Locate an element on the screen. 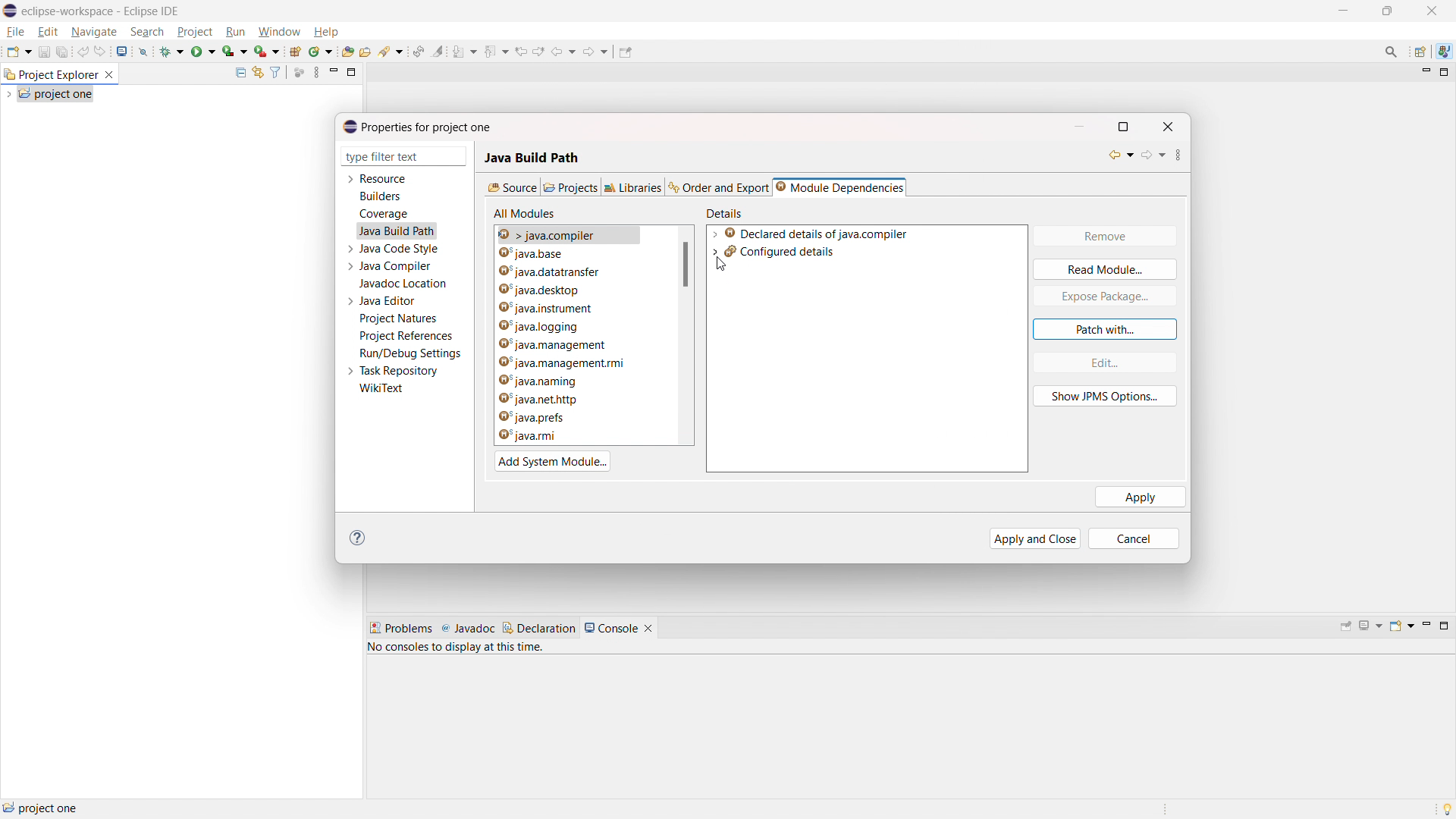  help is located at coordinates (361, 538).